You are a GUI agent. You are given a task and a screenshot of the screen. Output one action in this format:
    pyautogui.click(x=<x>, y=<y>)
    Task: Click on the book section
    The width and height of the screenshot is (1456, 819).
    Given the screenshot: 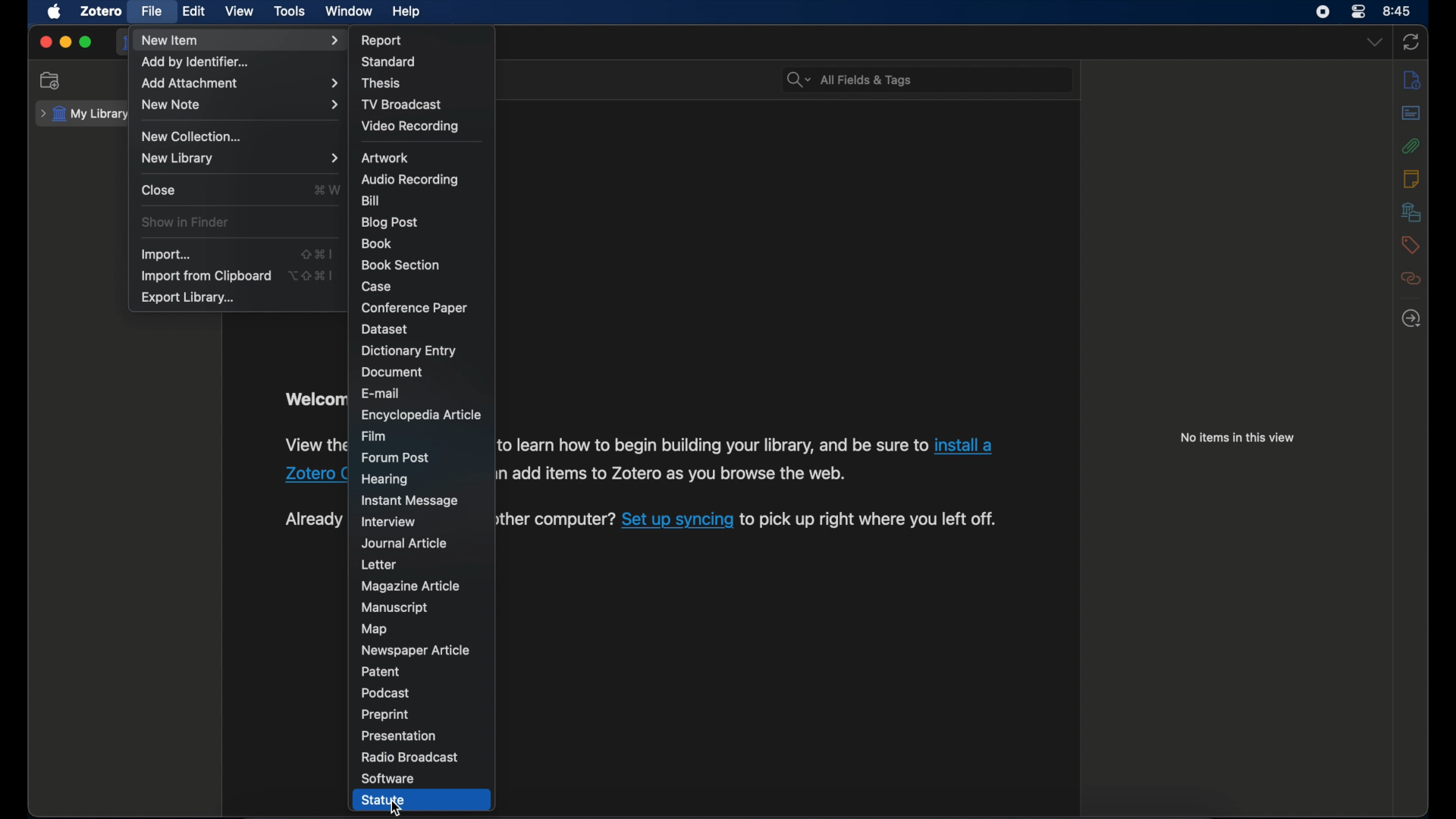 What is the action you would take?
    pyautogui.click(x=400, y=265)
    